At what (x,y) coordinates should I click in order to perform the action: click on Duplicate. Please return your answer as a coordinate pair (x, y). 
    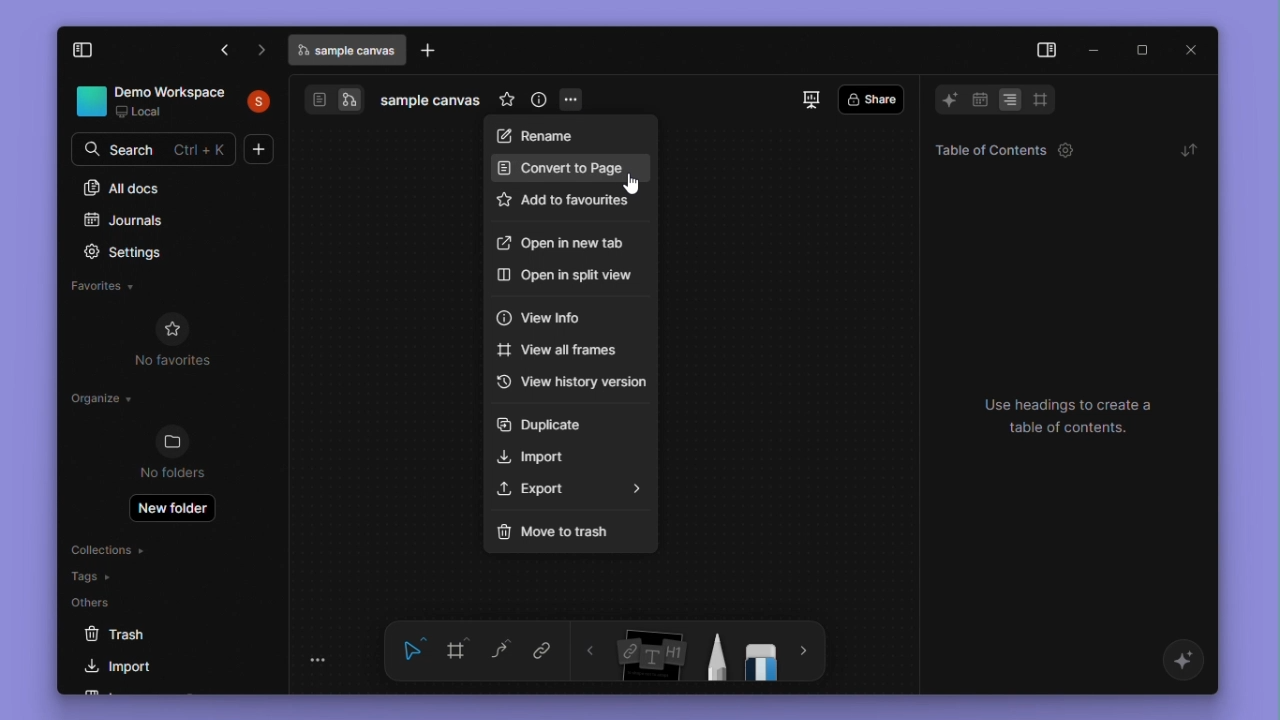
    Looking at the image, I should click on (542, 423).